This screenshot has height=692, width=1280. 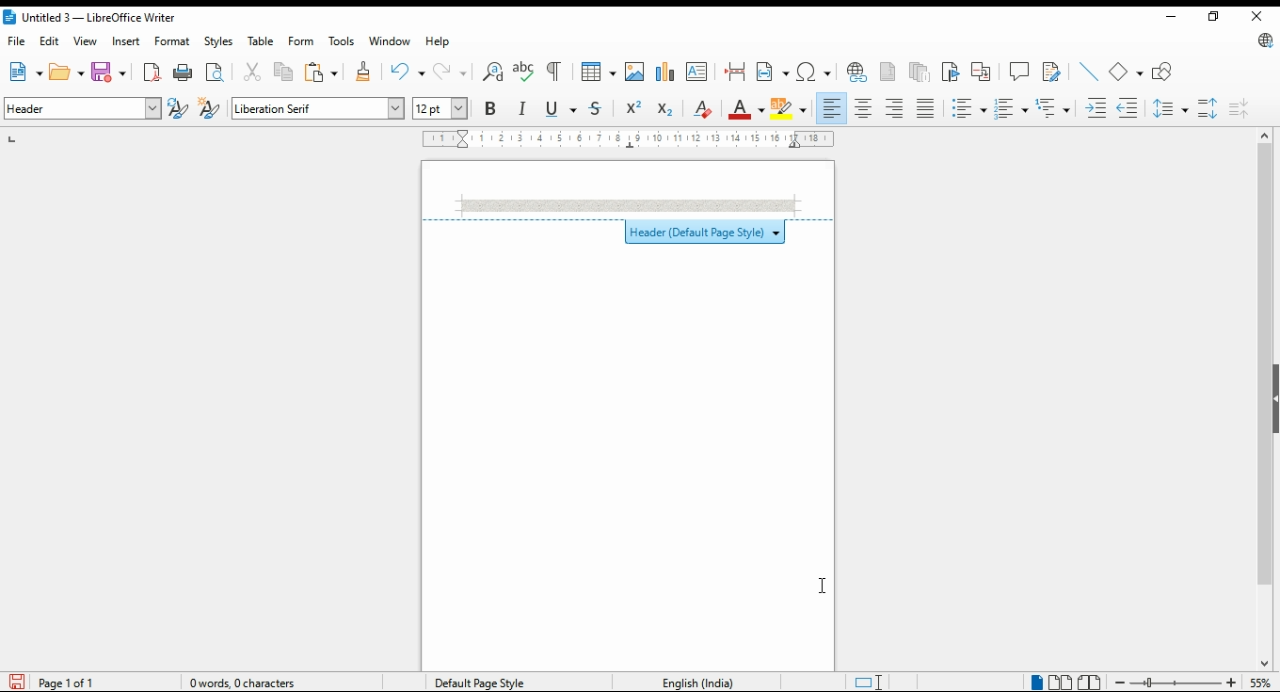 I want to click on strike thorough, so click(x=597, y=109).